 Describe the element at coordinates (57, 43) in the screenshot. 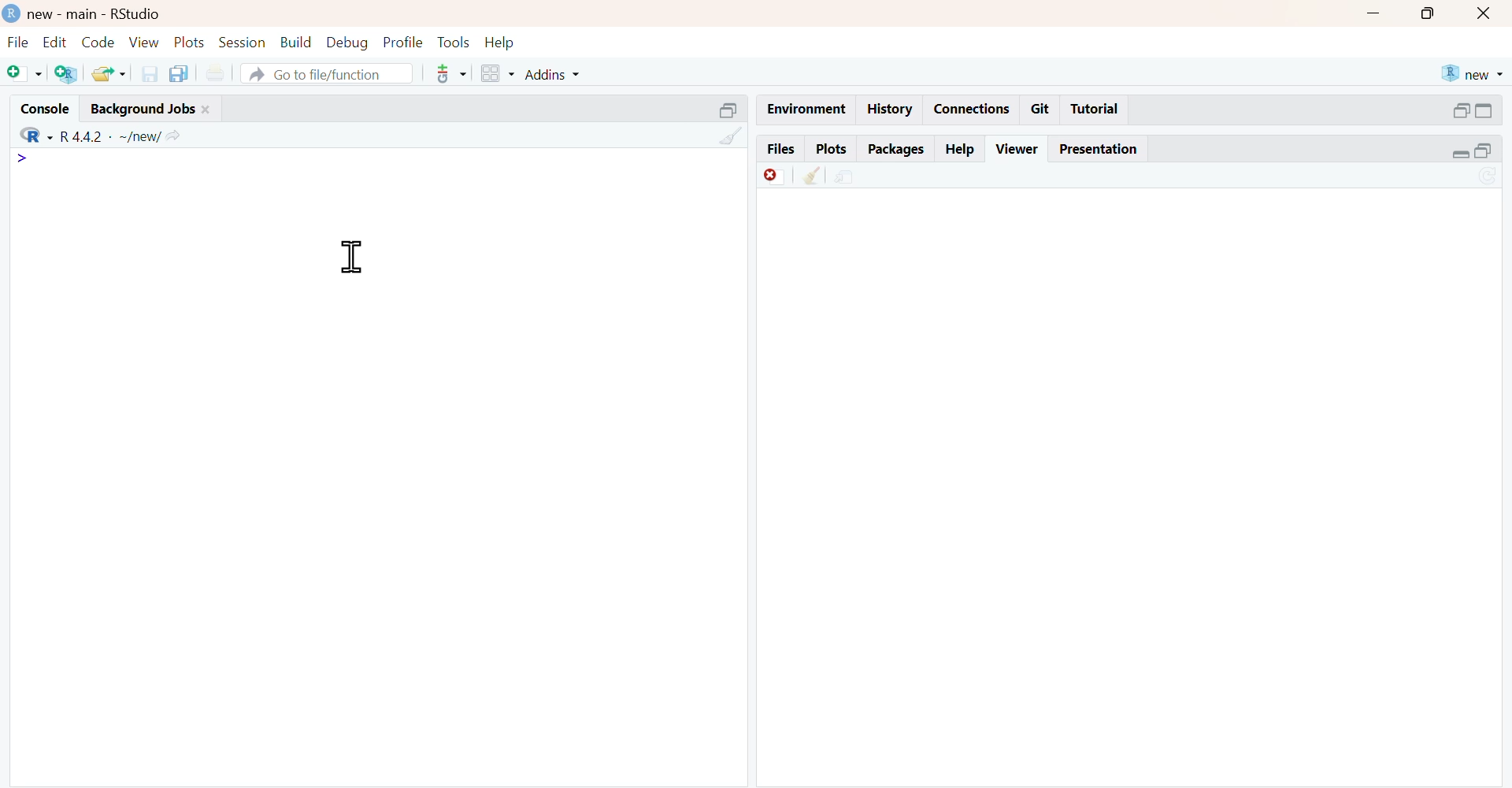

I see `edit` at that location.